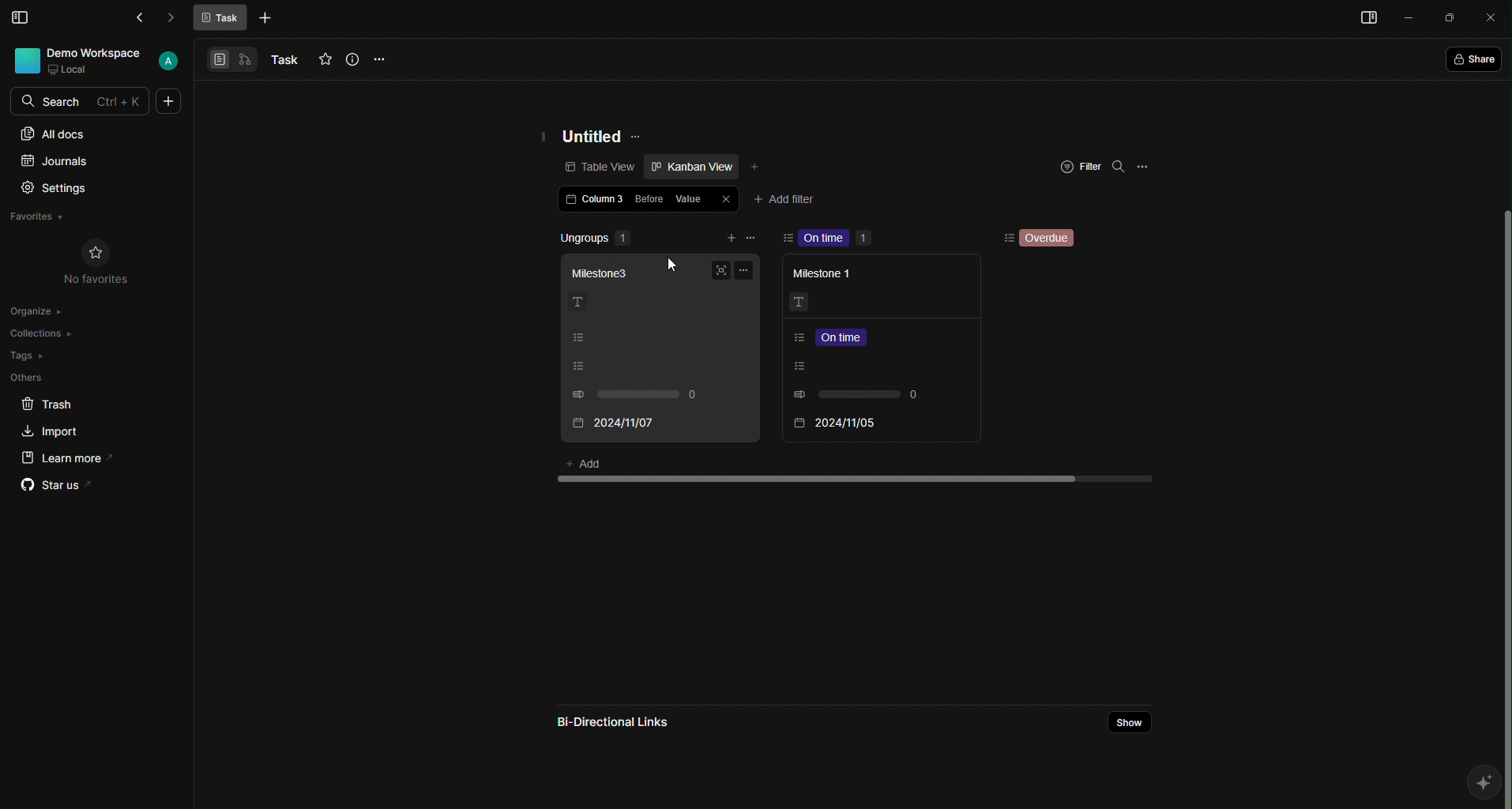 The height and width of the screenshot is (809, 1512). Describe the element at coordinates (1125, 721) in the screenshot. I see `Share` at that location.